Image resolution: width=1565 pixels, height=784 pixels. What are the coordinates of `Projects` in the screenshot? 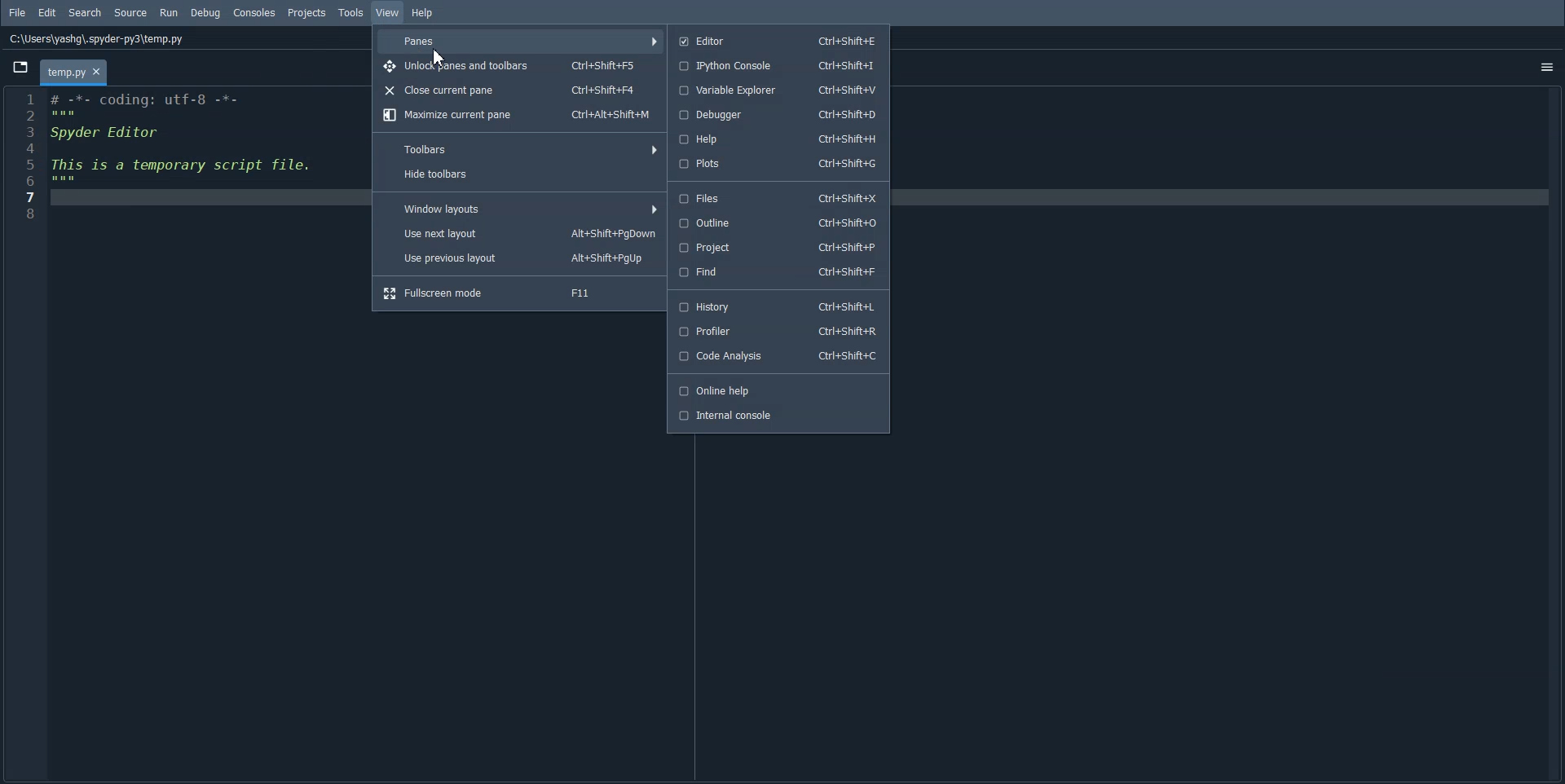 It's located at (309, 13).